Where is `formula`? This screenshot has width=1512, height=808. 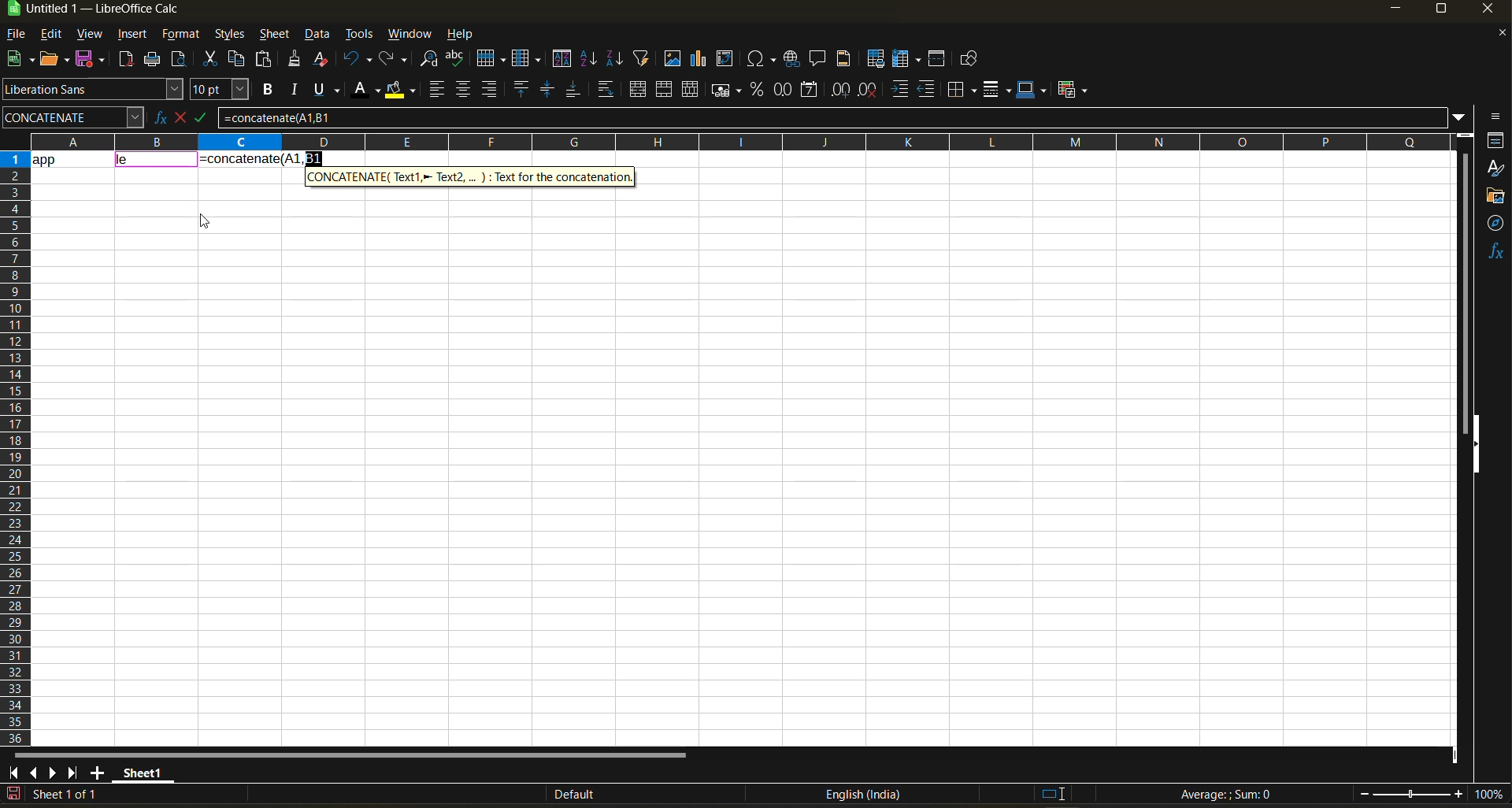
formula is located at coordinates (263, 158).